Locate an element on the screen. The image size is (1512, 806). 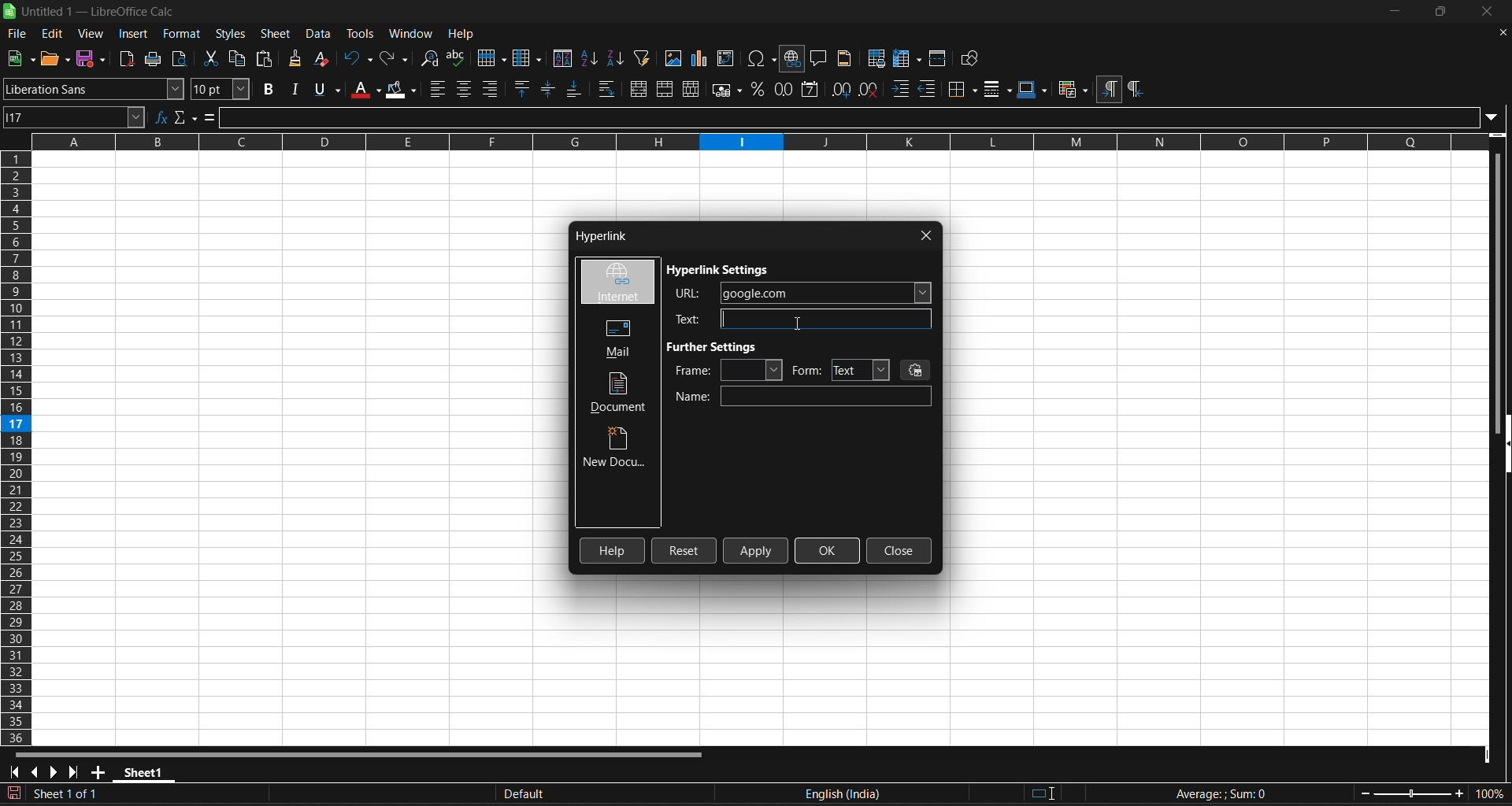
sort is located at coordinates (563, 57).